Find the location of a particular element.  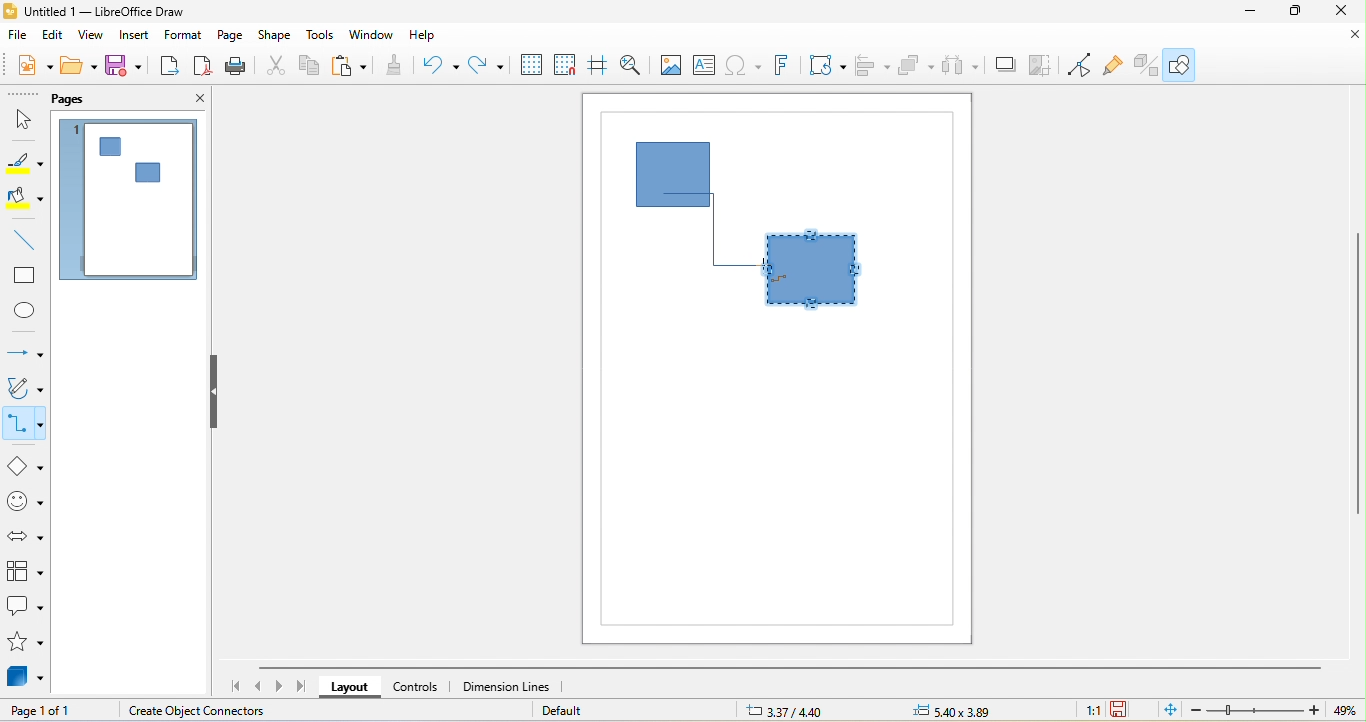

layout is located at coordinates (356, 688).